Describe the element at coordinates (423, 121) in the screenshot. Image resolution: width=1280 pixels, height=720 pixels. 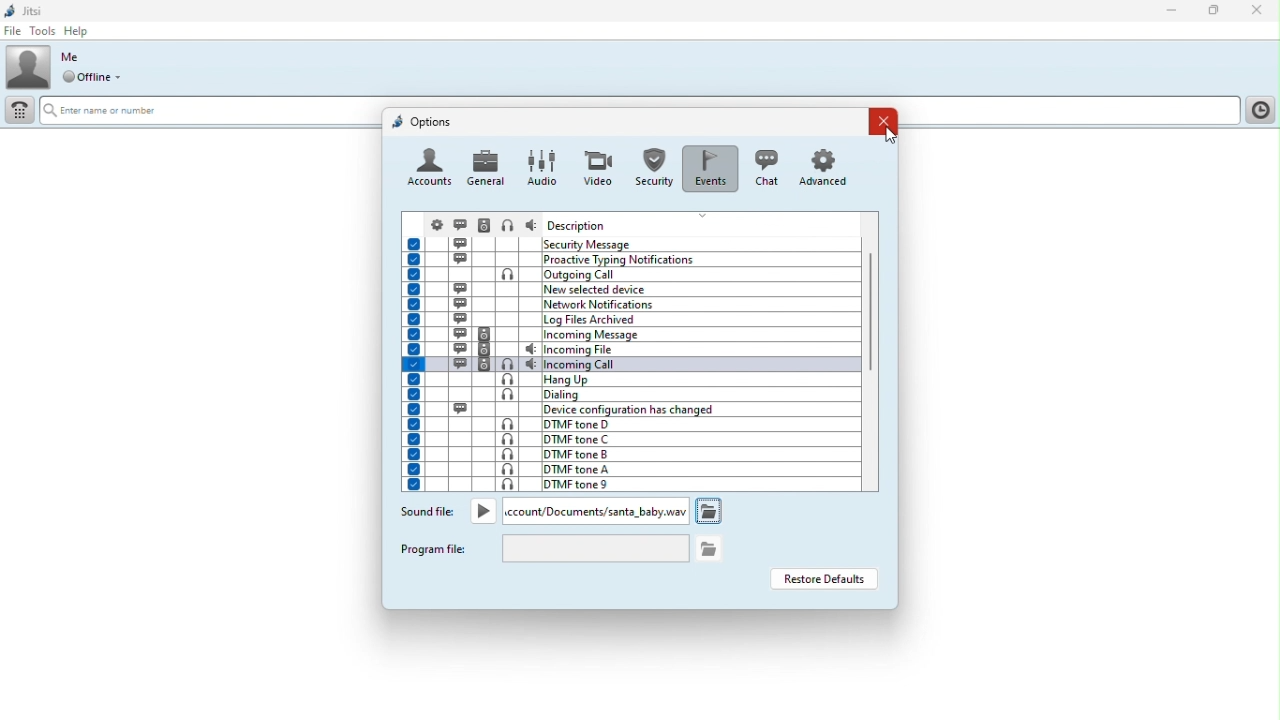
I see `options` at that location.